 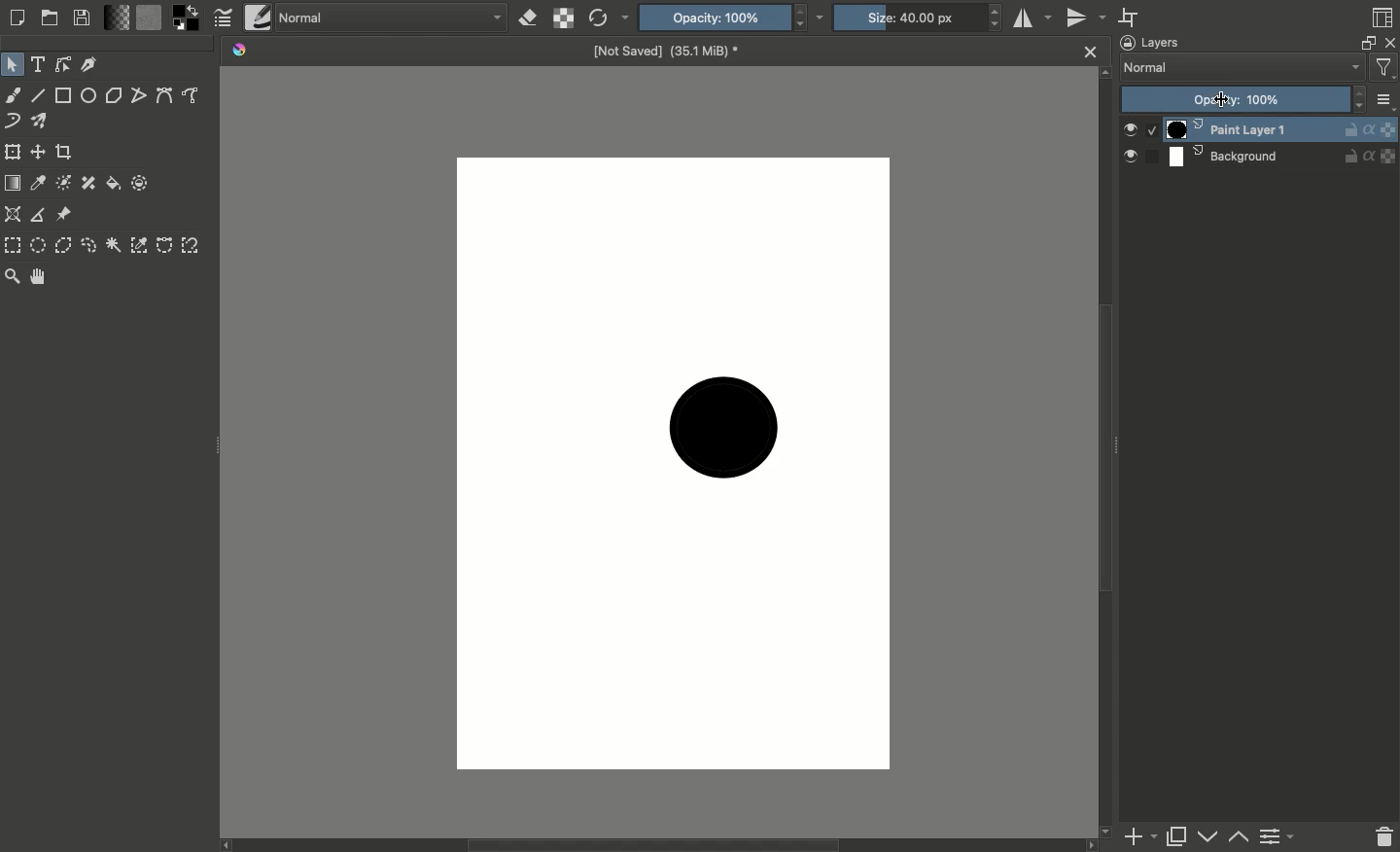 I want to click on Preserve alpha, so click(x=565, y=18).